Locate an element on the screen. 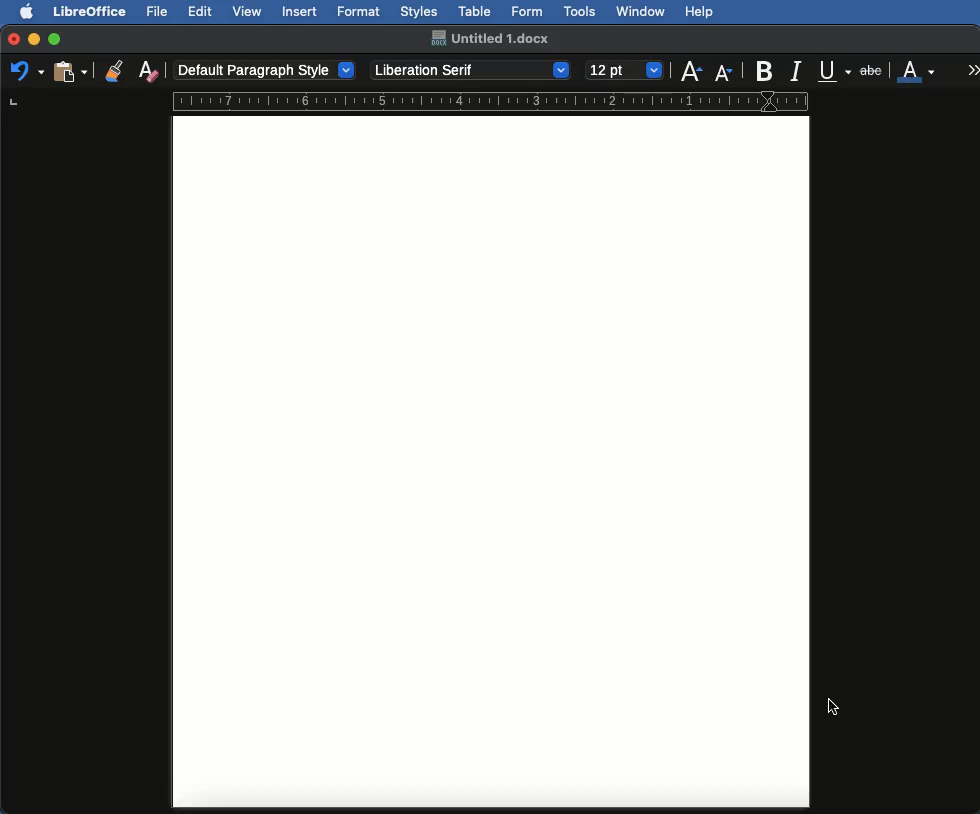  Ruler is located at coordinates (504, 100).